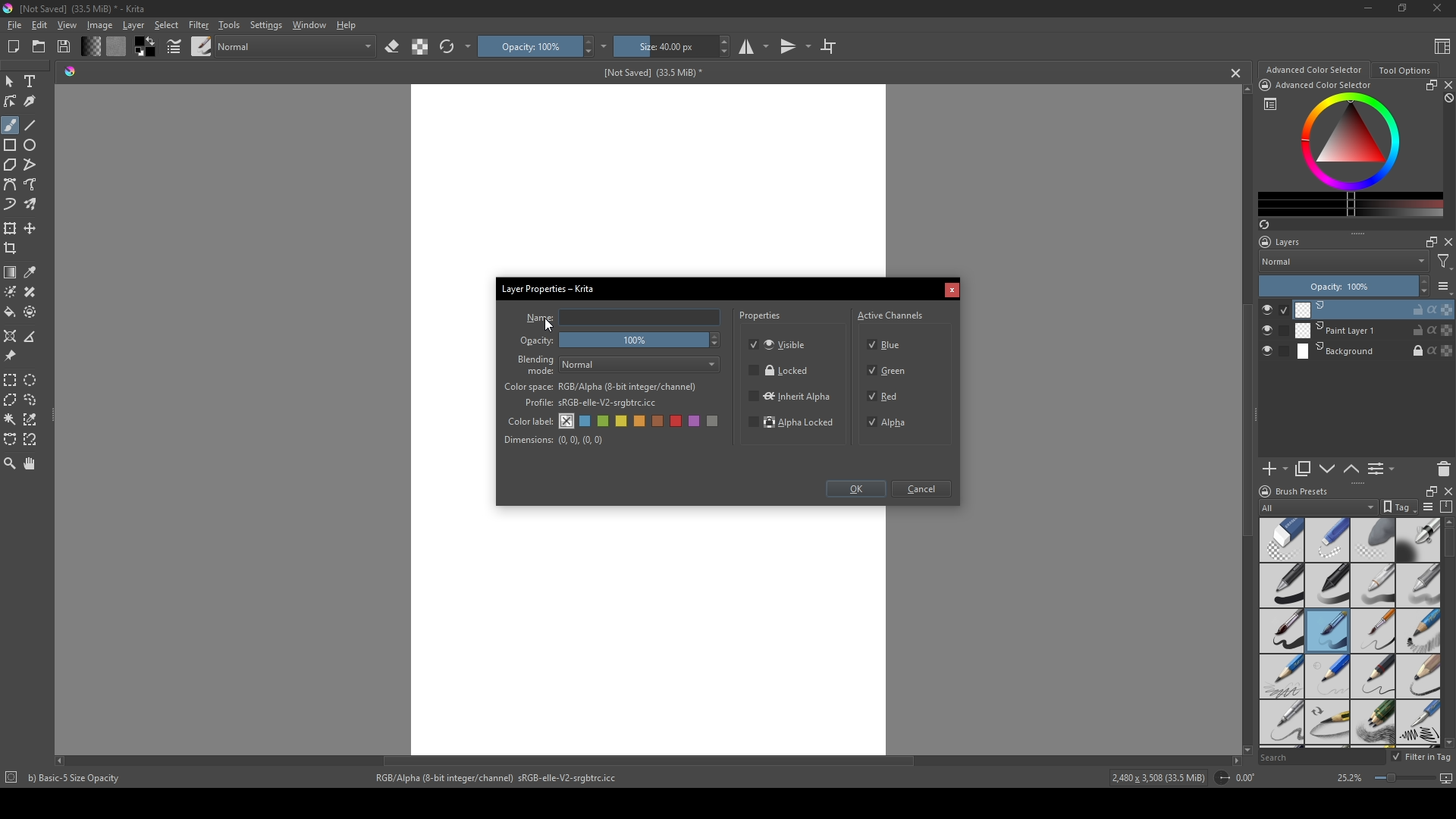  Describe the element at coordinates (11, 291) in the screenshot. I see `colorize mask` at that location.